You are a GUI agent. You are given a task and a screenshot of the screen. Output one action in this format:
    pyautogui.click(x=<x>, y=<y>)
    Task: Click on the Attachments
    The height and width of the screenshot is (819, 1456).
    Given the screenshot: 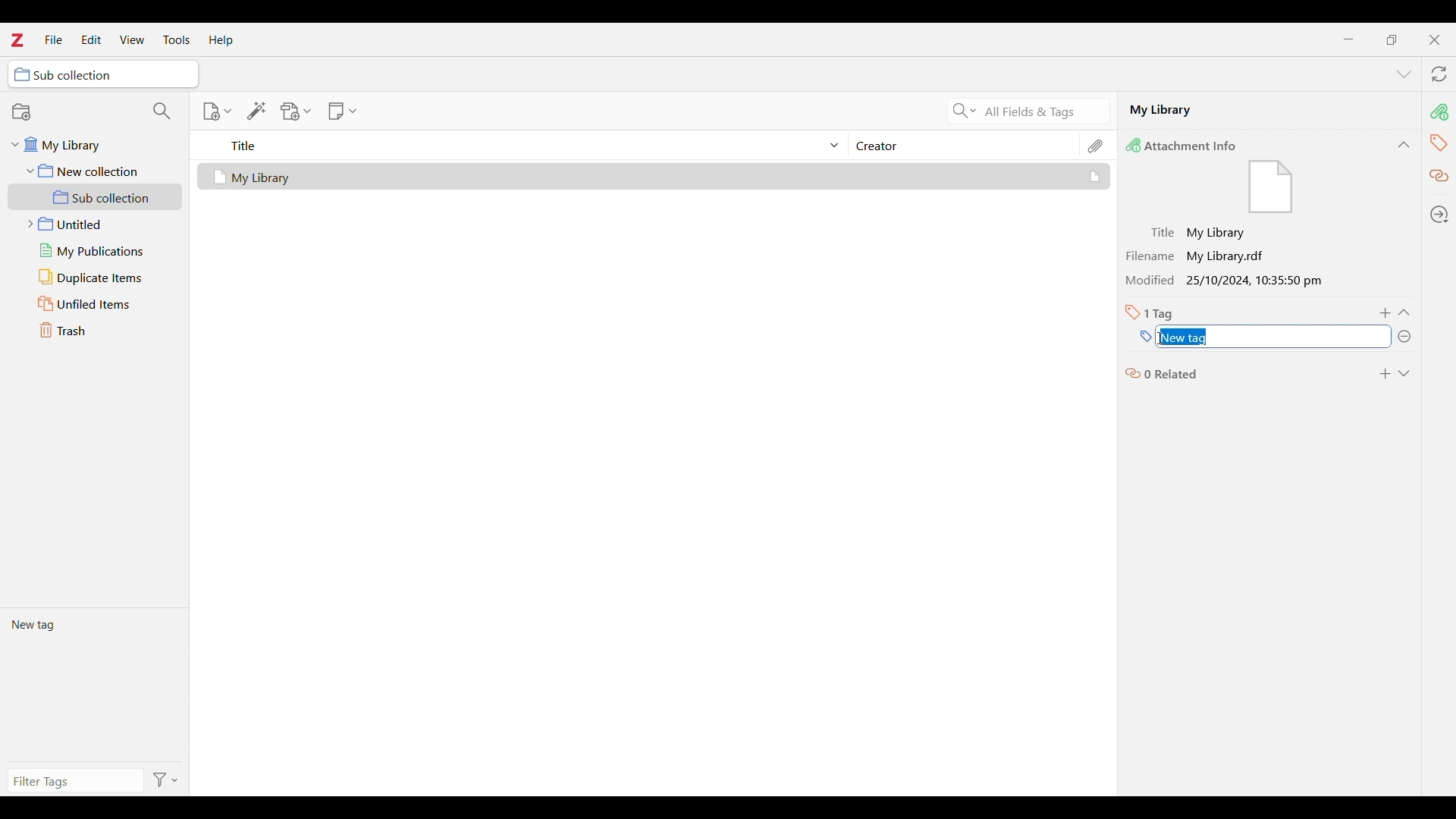 What is the action you would take?
    pyautogui.click(x=1097, y=146)
    